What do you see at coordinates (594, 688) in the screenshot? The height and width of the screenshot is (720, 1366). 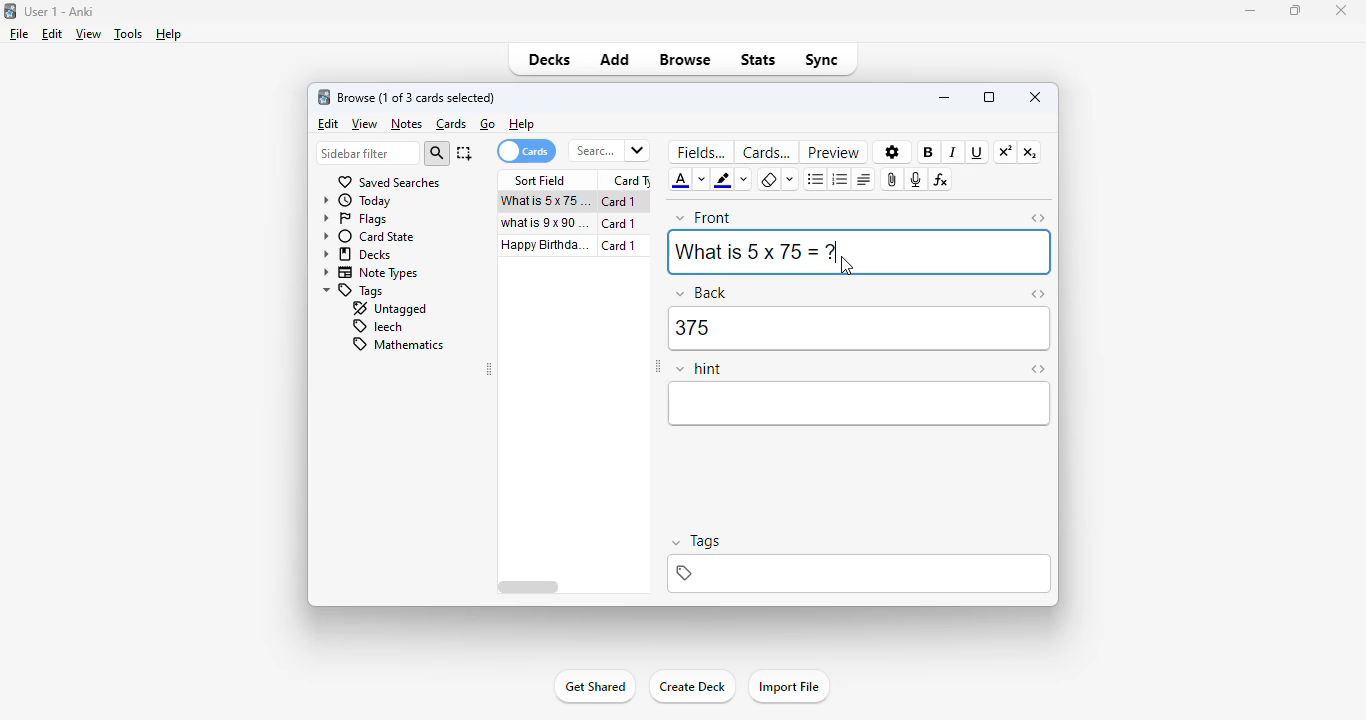 I see `get shared` at bounding box center [594, 688].